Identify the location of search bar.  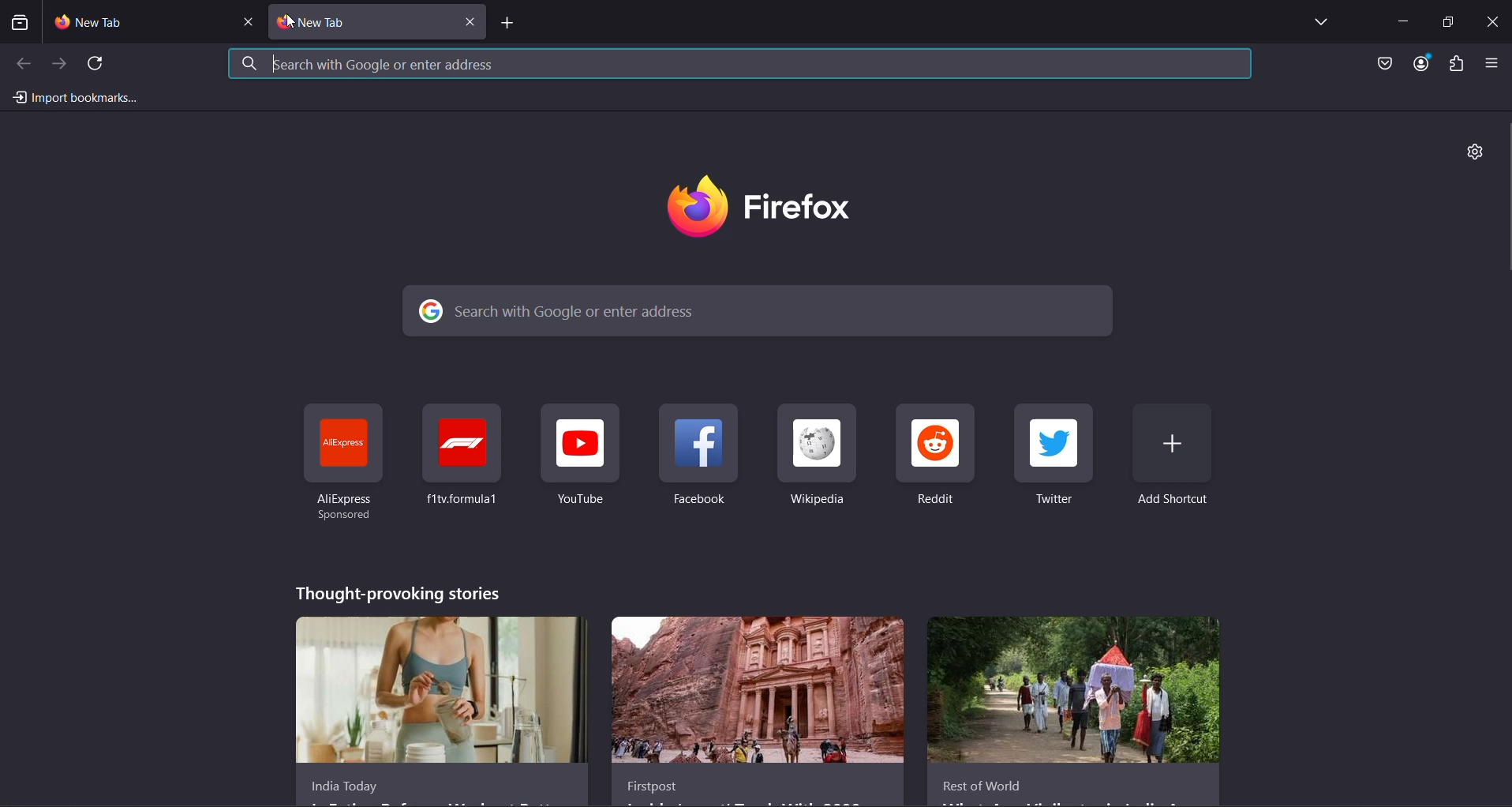
(758, 310).